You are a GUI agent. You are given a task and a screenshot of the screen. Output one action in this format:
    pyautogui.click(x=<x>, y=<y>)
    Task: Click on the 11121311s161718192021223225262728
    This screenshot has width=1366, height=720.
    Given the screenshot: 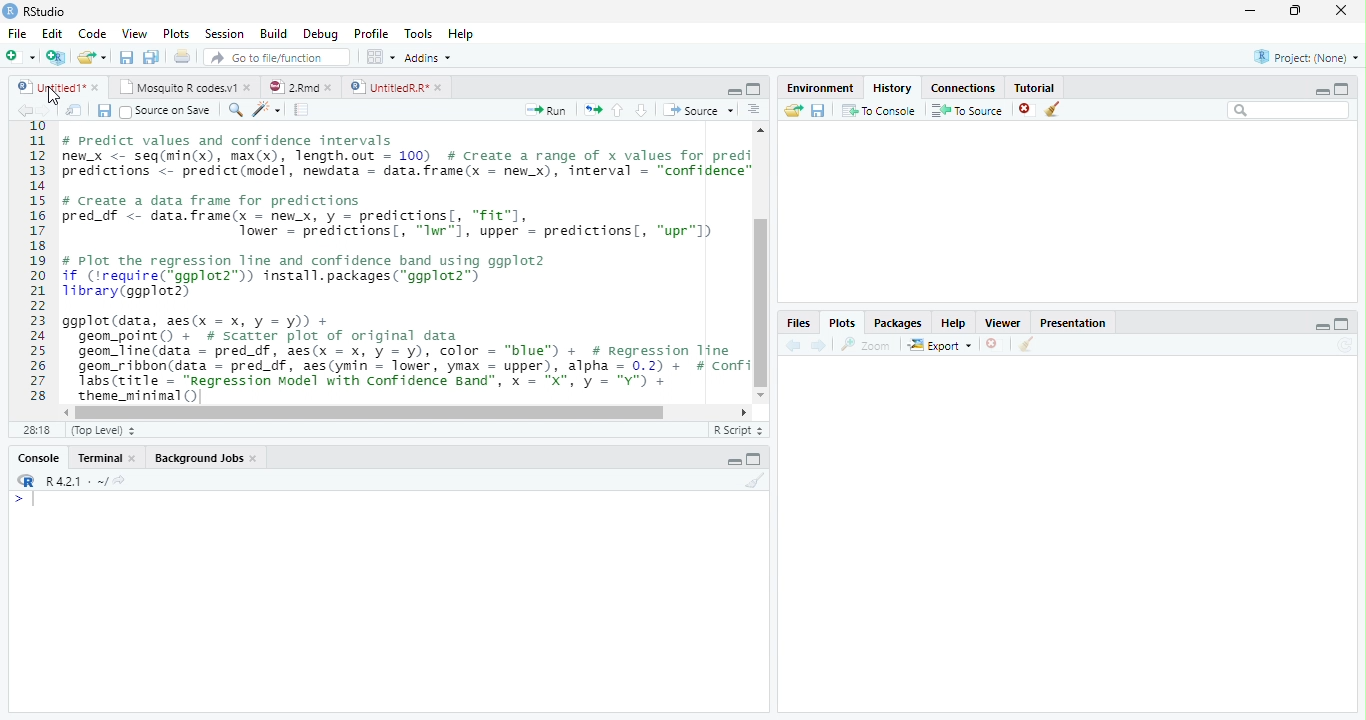 What is the action you would take?
    pyautogui.click(x=38, y=272)
    